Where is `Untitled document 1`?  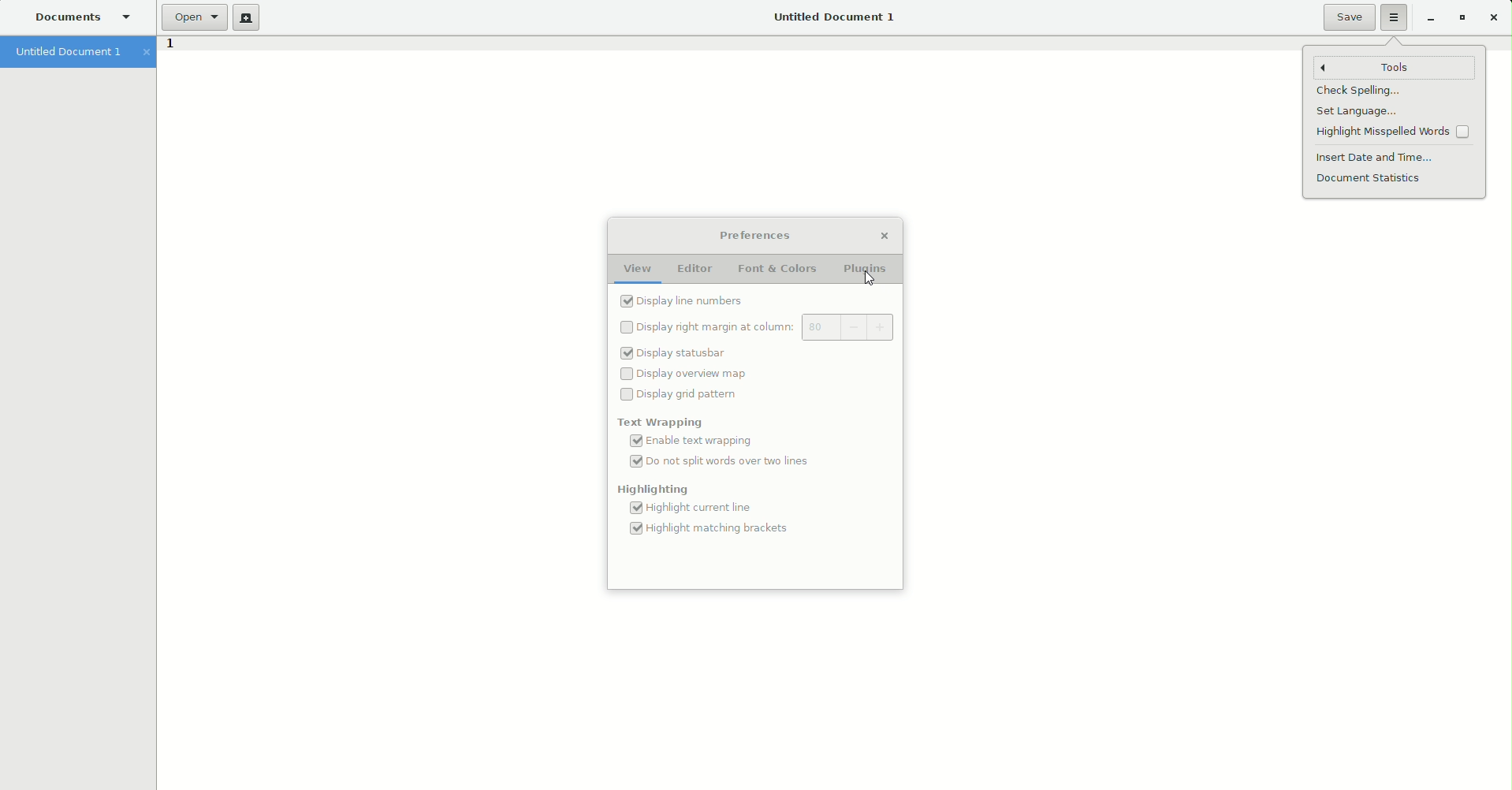 Untitled document 1 is located at coordinates (78, 53).